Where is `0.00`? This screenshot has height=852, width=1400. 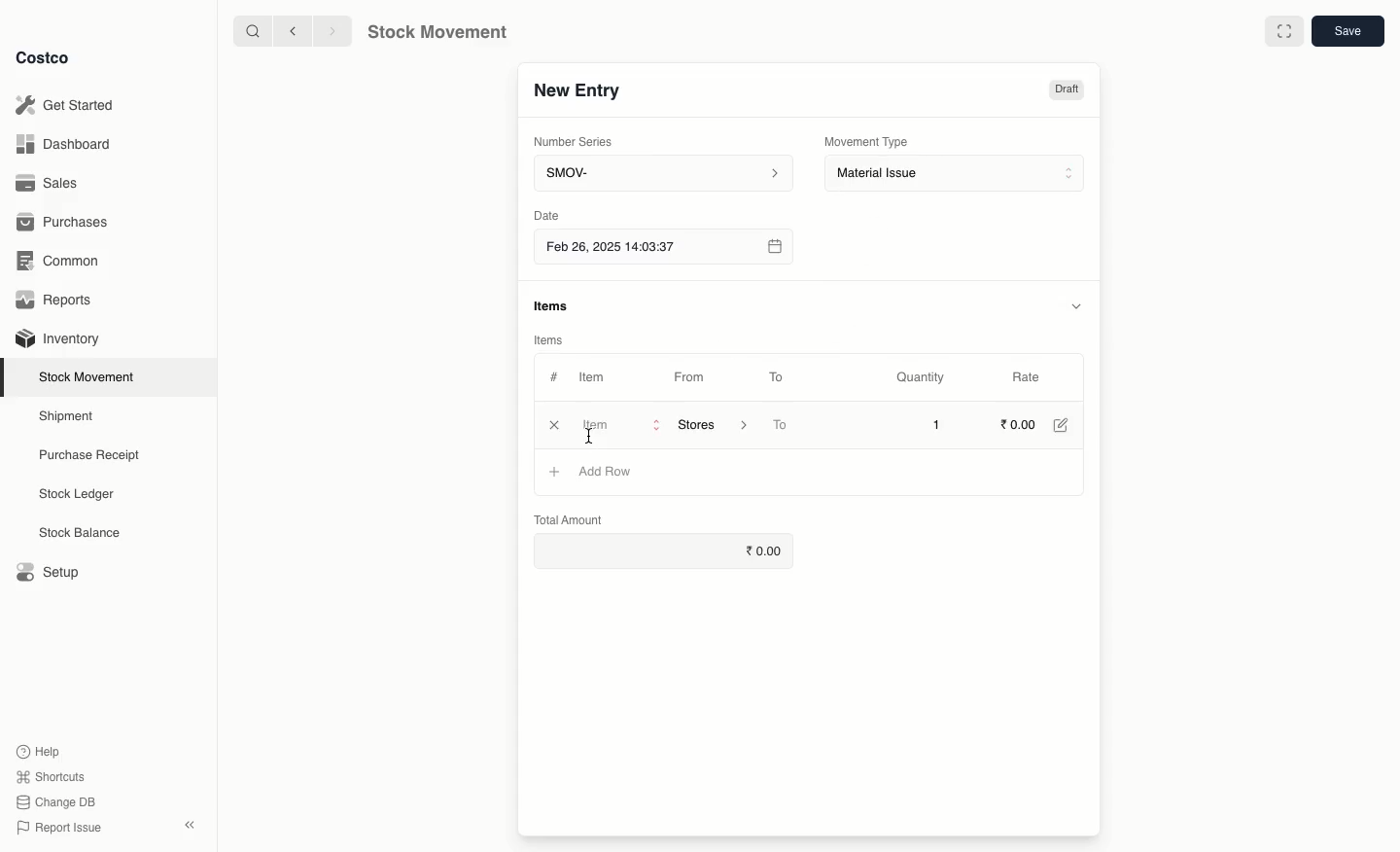 0.00 is located at coordinates (670, 552).